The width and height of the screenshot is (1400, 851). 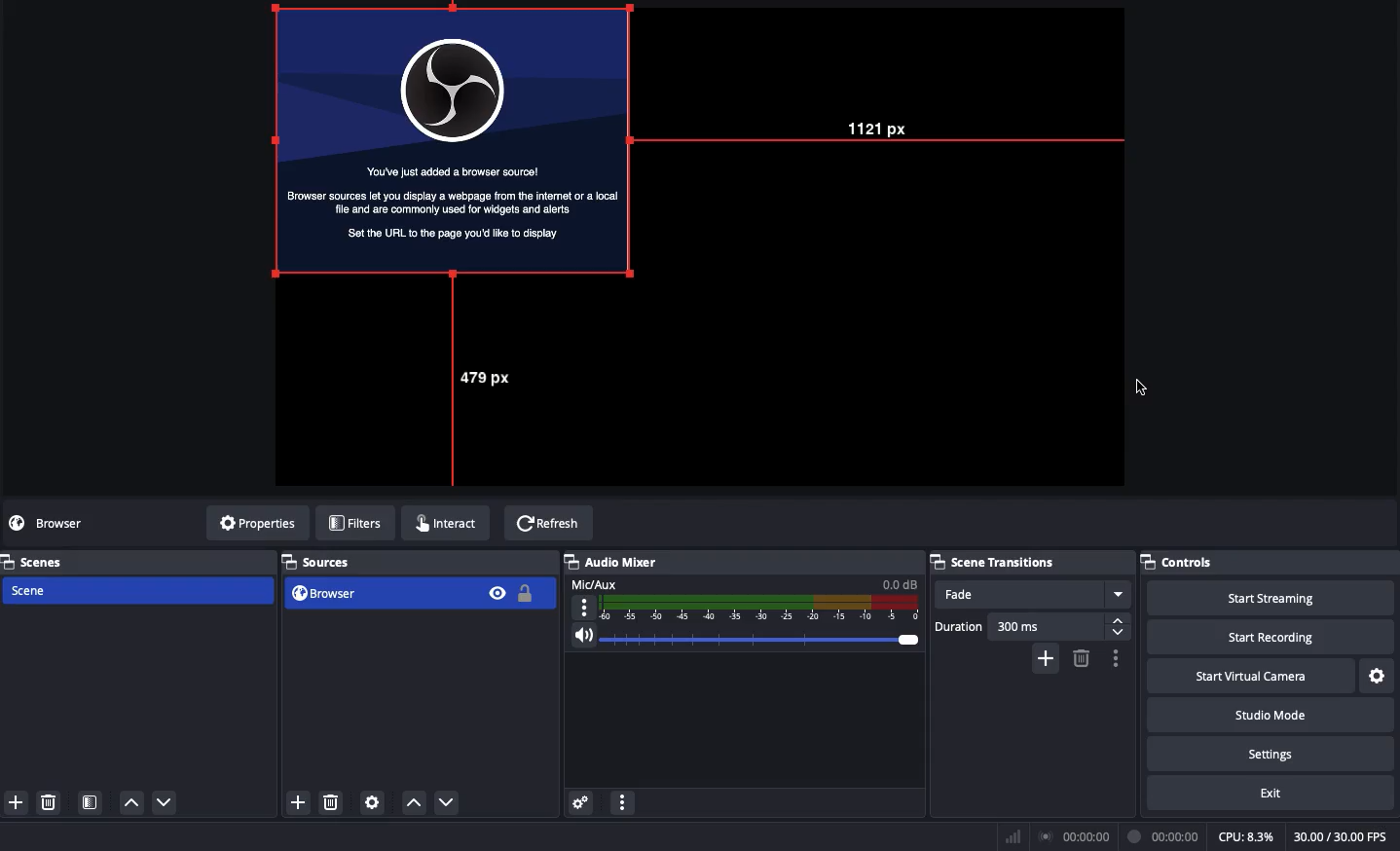 I want to click on Sources, so click(x=323, y=562).